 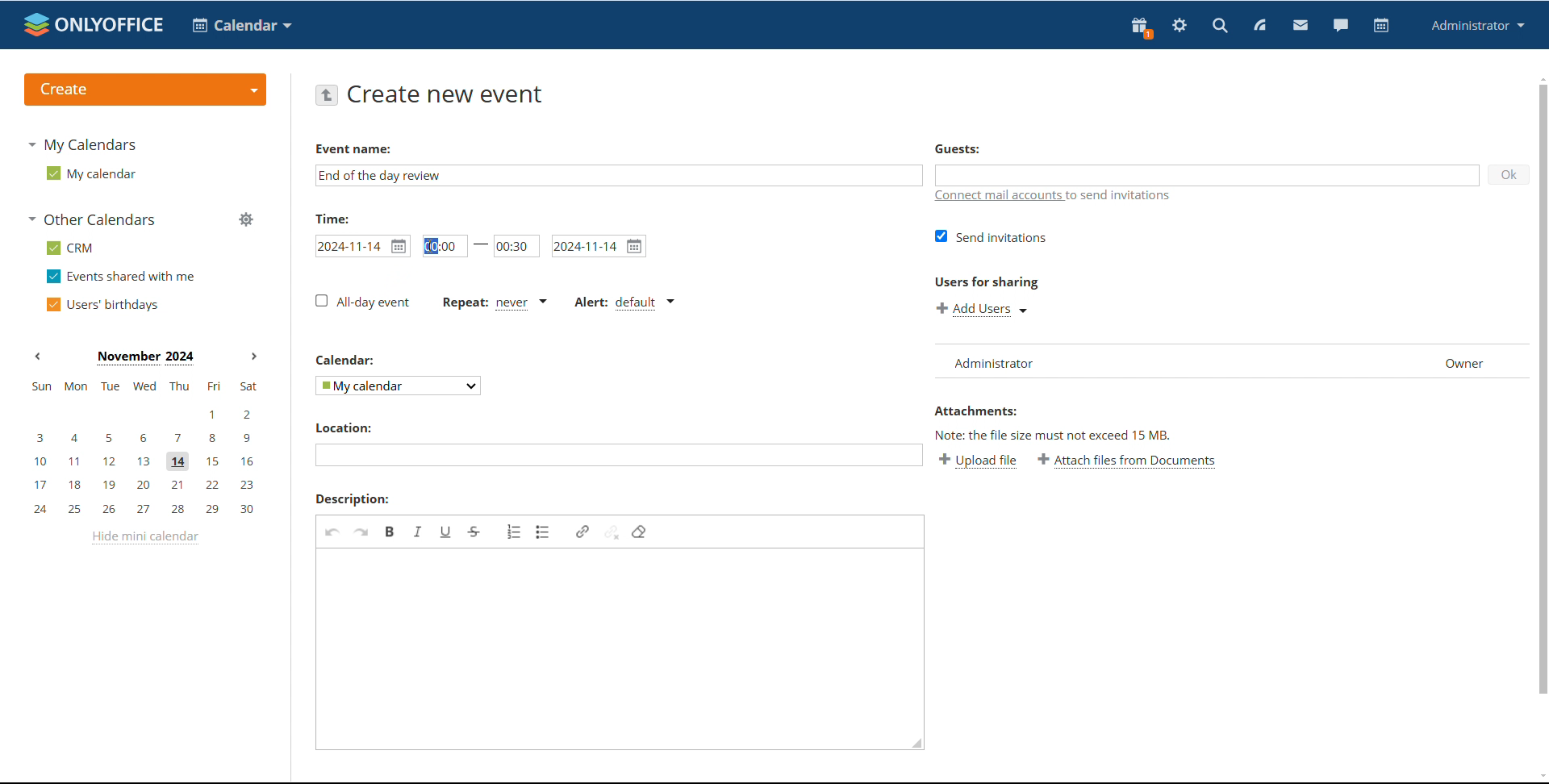 I want to click on settings, so click(x=1179, y=27).